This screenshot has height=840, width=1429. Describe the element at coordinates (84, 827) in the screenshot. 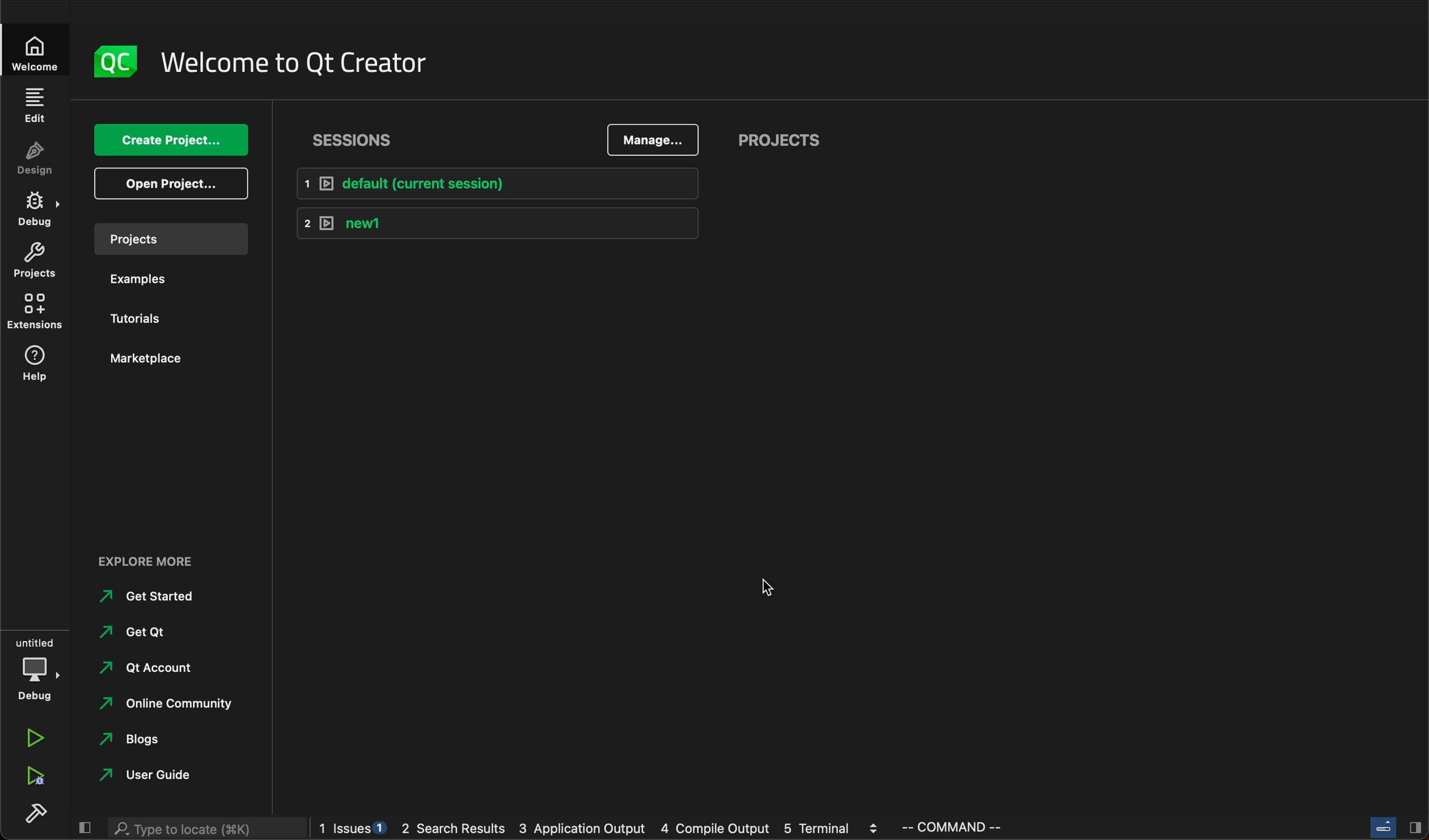

I see `close slide bar` at that location.